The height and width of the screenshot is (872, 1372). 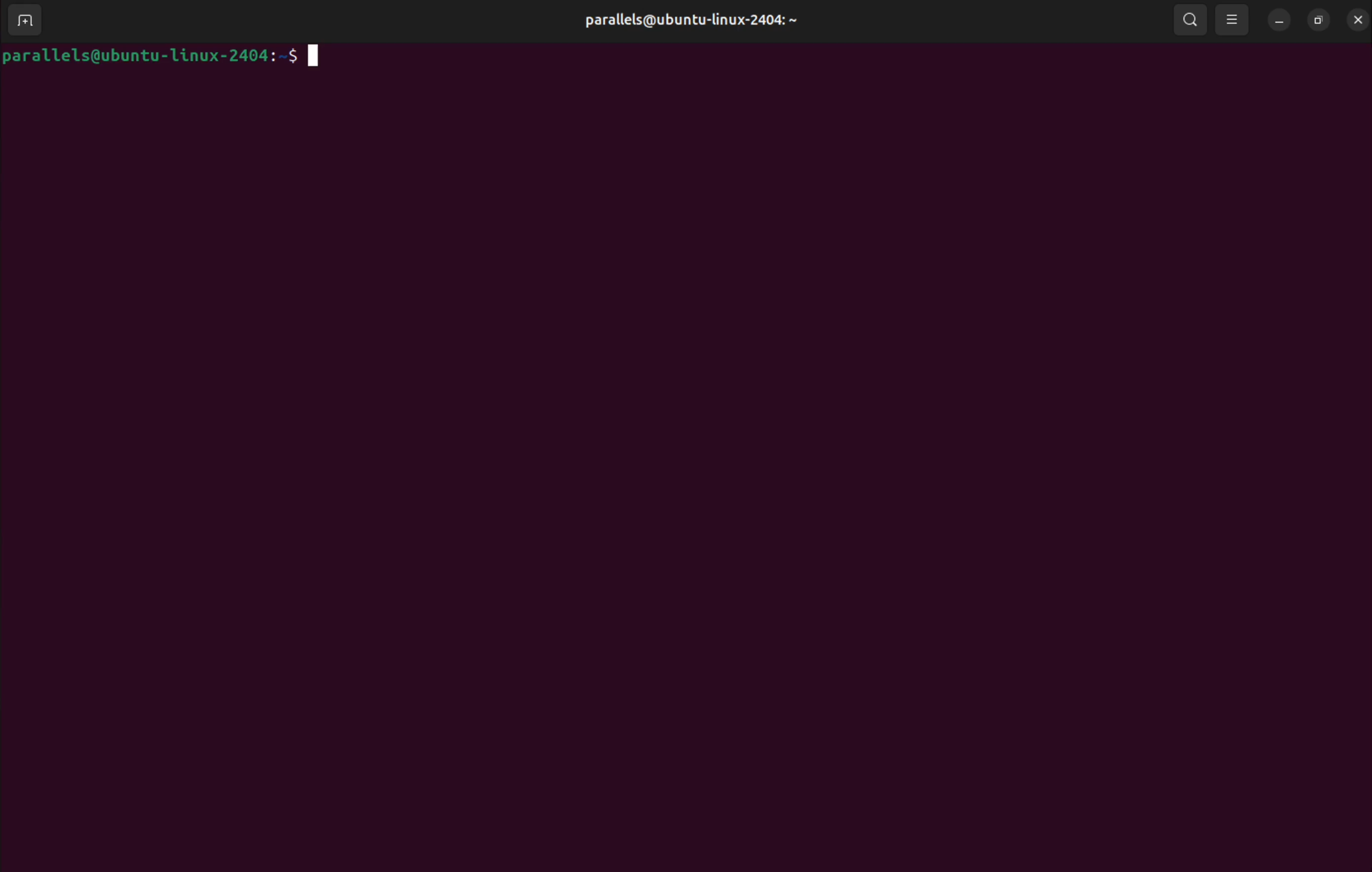 What do you see at coordinates (314, 58) in the screenshot?
I see `Cursor` at bounding box center [314, 58].